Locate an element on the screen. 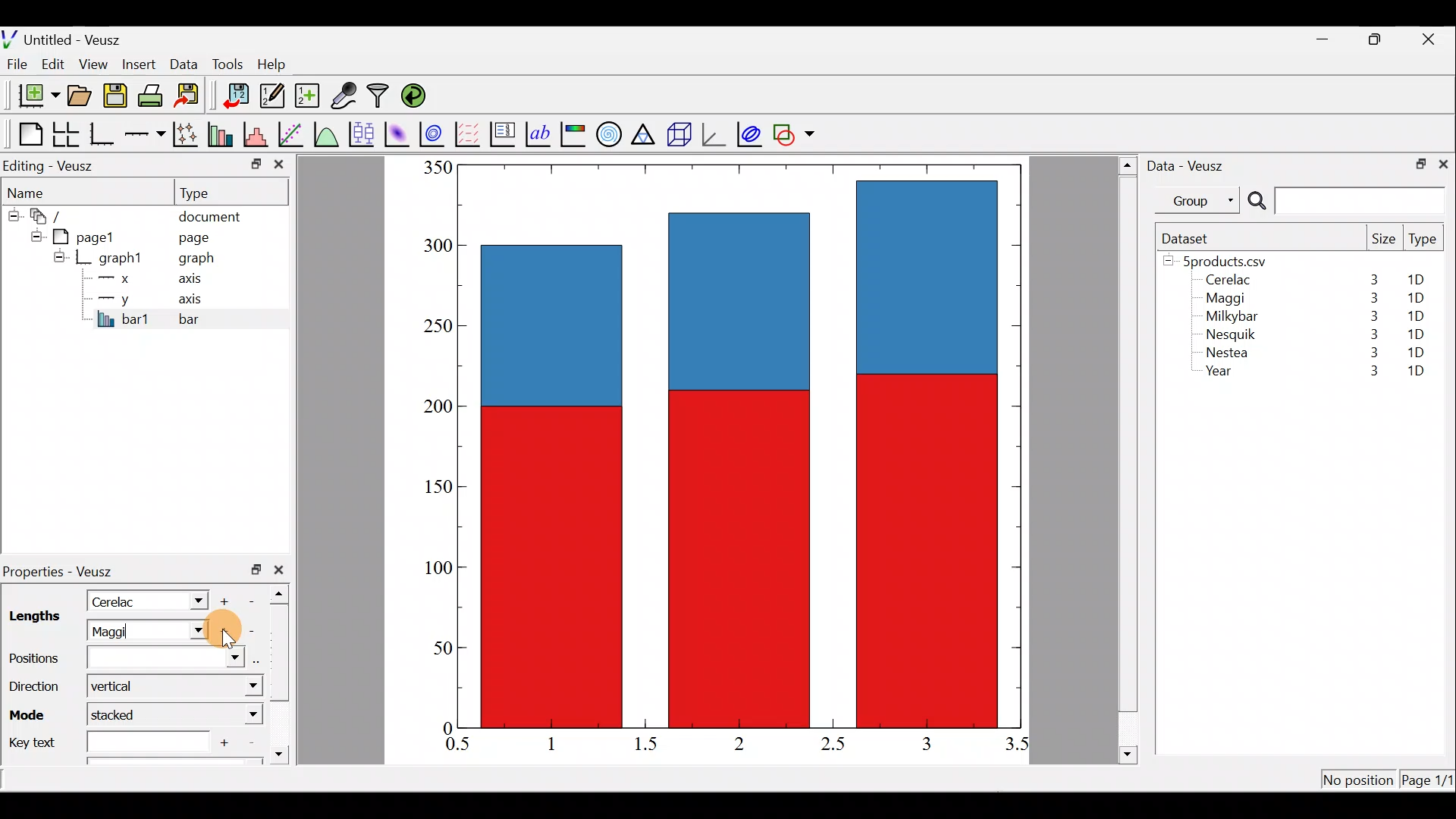  1D is located at coordinates (1412, 315).